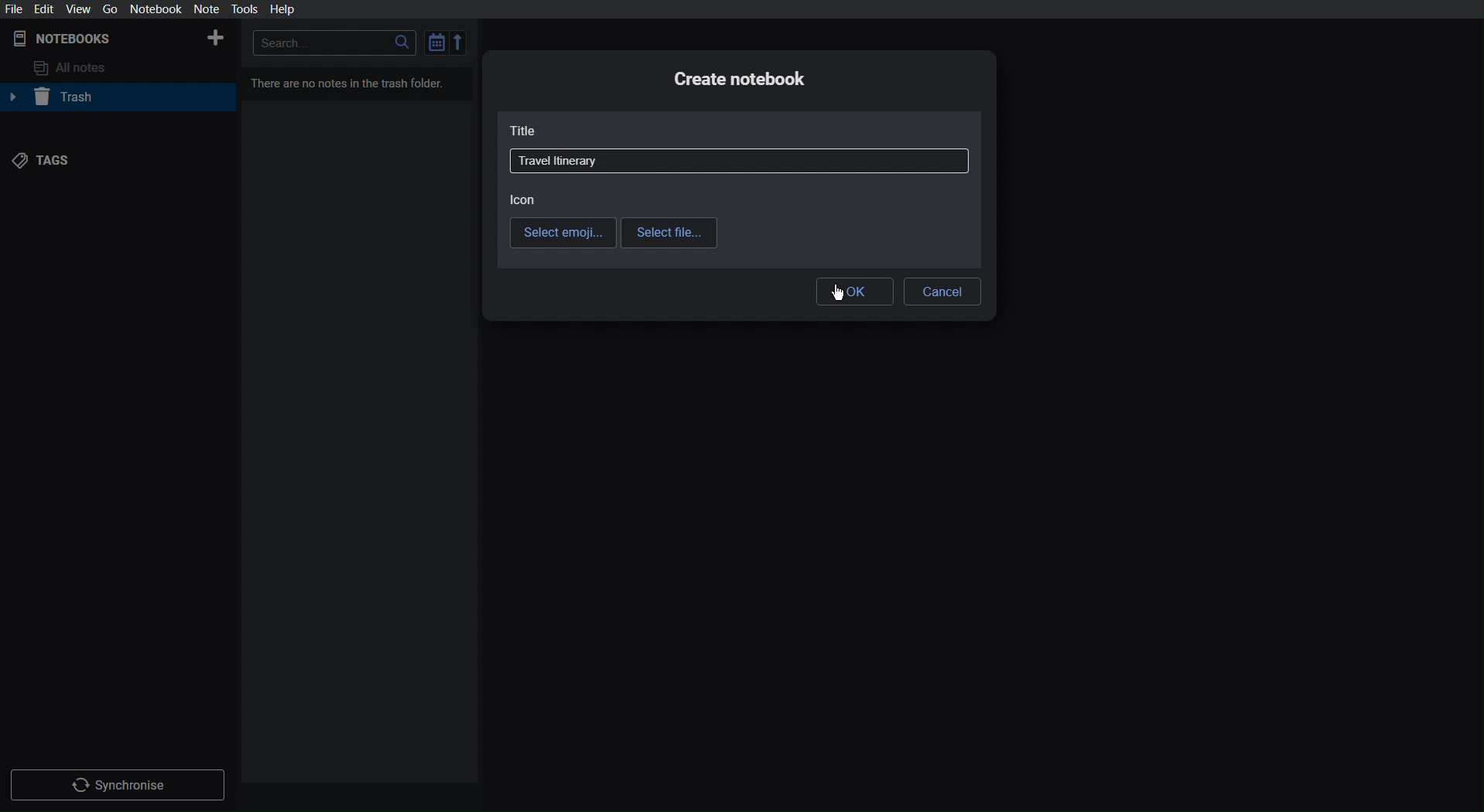 This screenshot has width=1484, height=812. I want to click on Search, so click(336, 43).